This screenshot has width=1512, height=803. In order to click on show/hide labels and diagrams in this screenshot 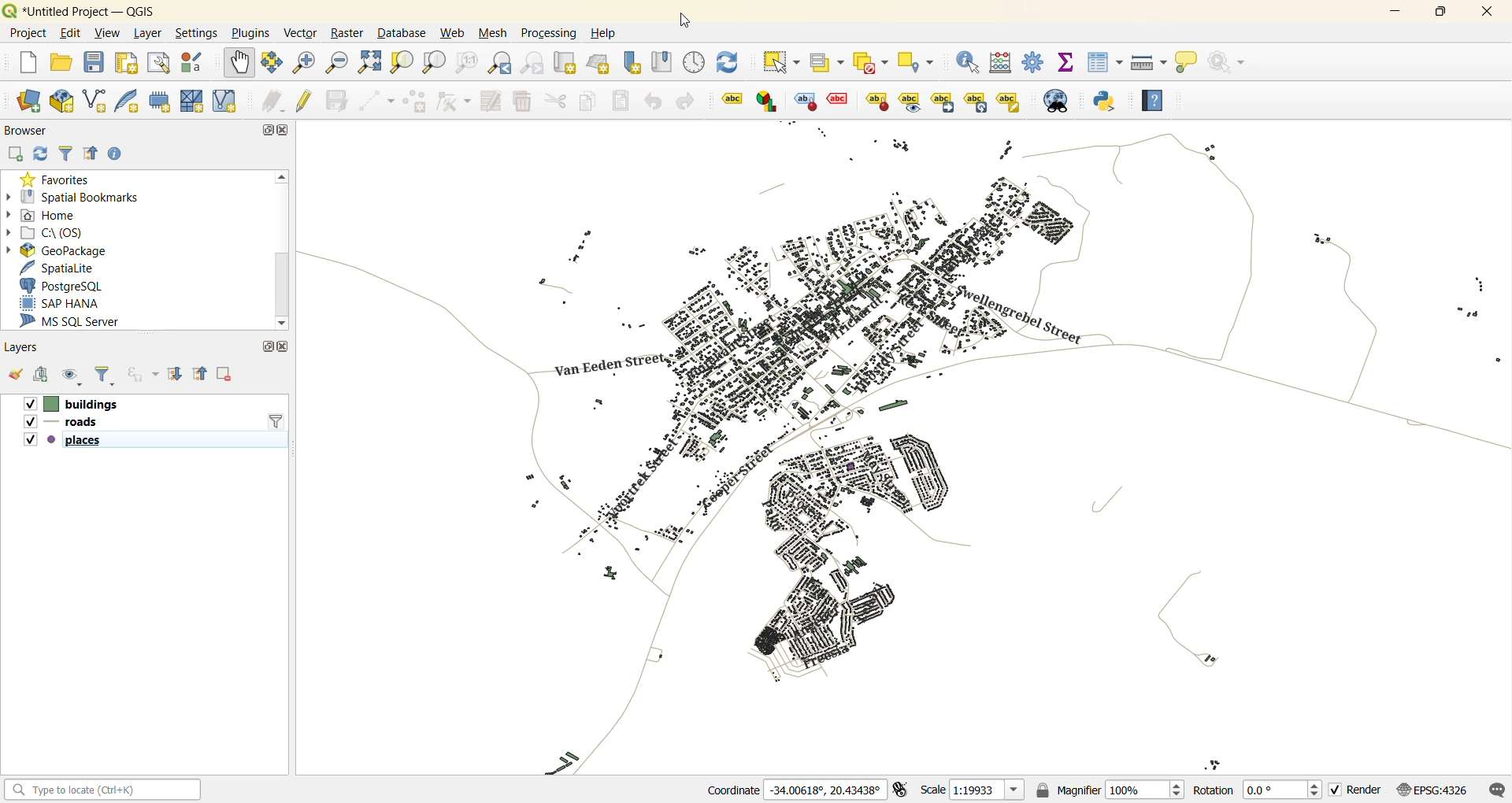, I will do `click(910, 101)`.